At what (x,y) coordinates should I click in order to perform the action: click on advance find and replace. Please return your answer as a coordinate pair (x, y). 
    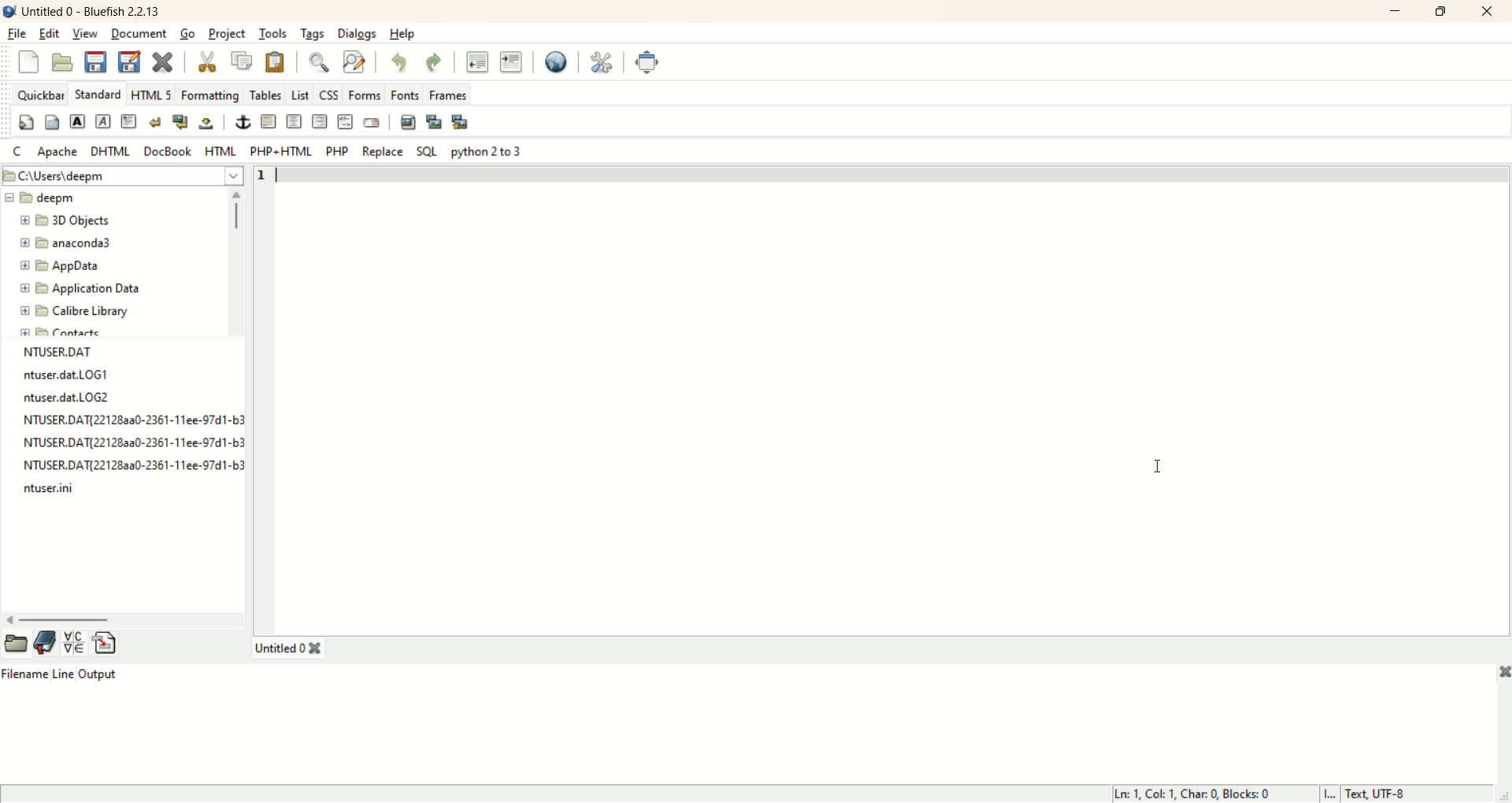
    Looking at the image, I should click on (352, 65).